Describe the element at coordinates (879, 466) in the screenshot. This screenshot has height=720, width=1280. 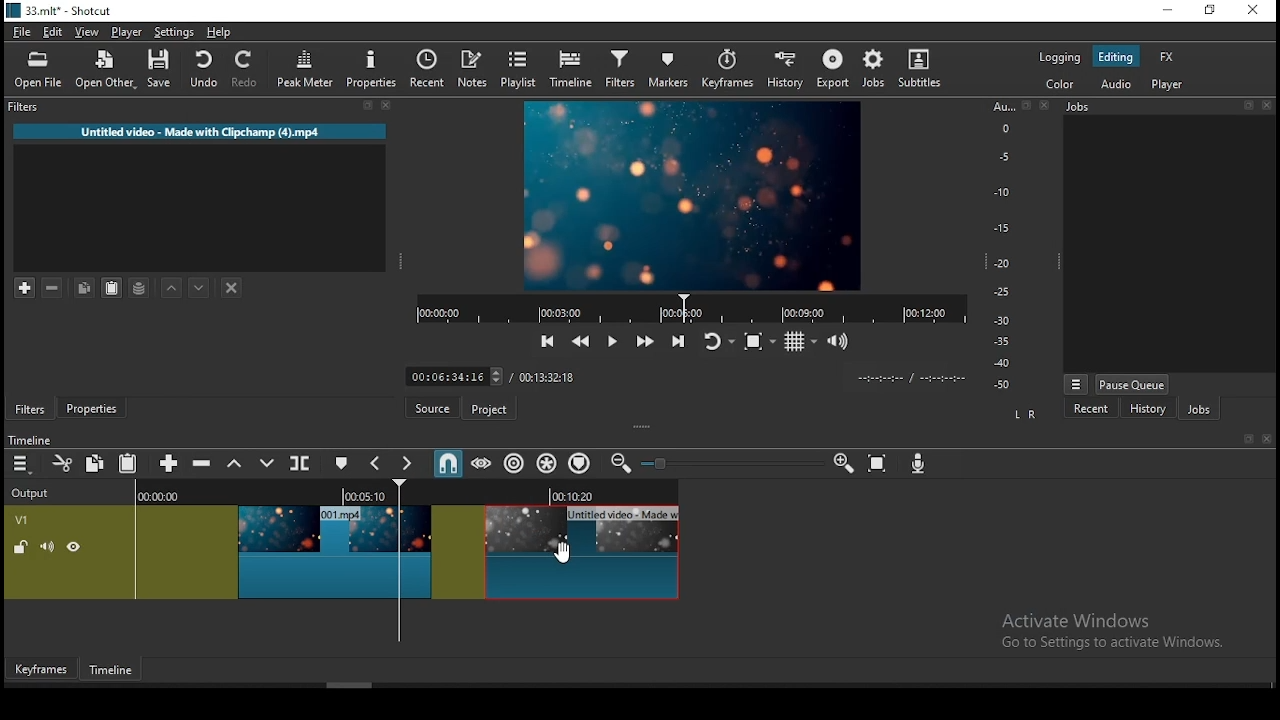
I see `zoom timeline to fit` at that location.